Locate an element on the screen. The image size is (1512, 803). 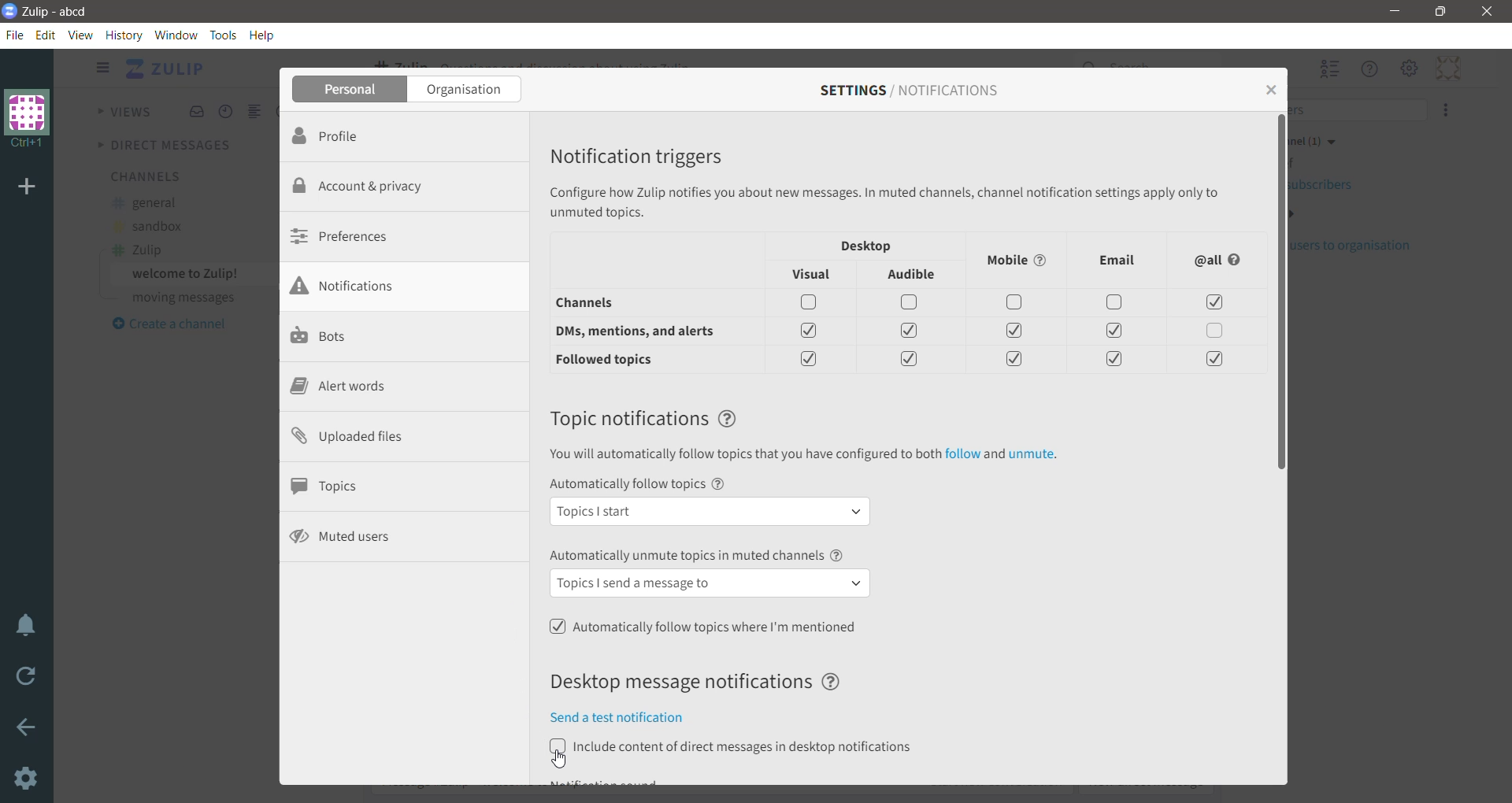
check box is located at coordinates (1114, 331).